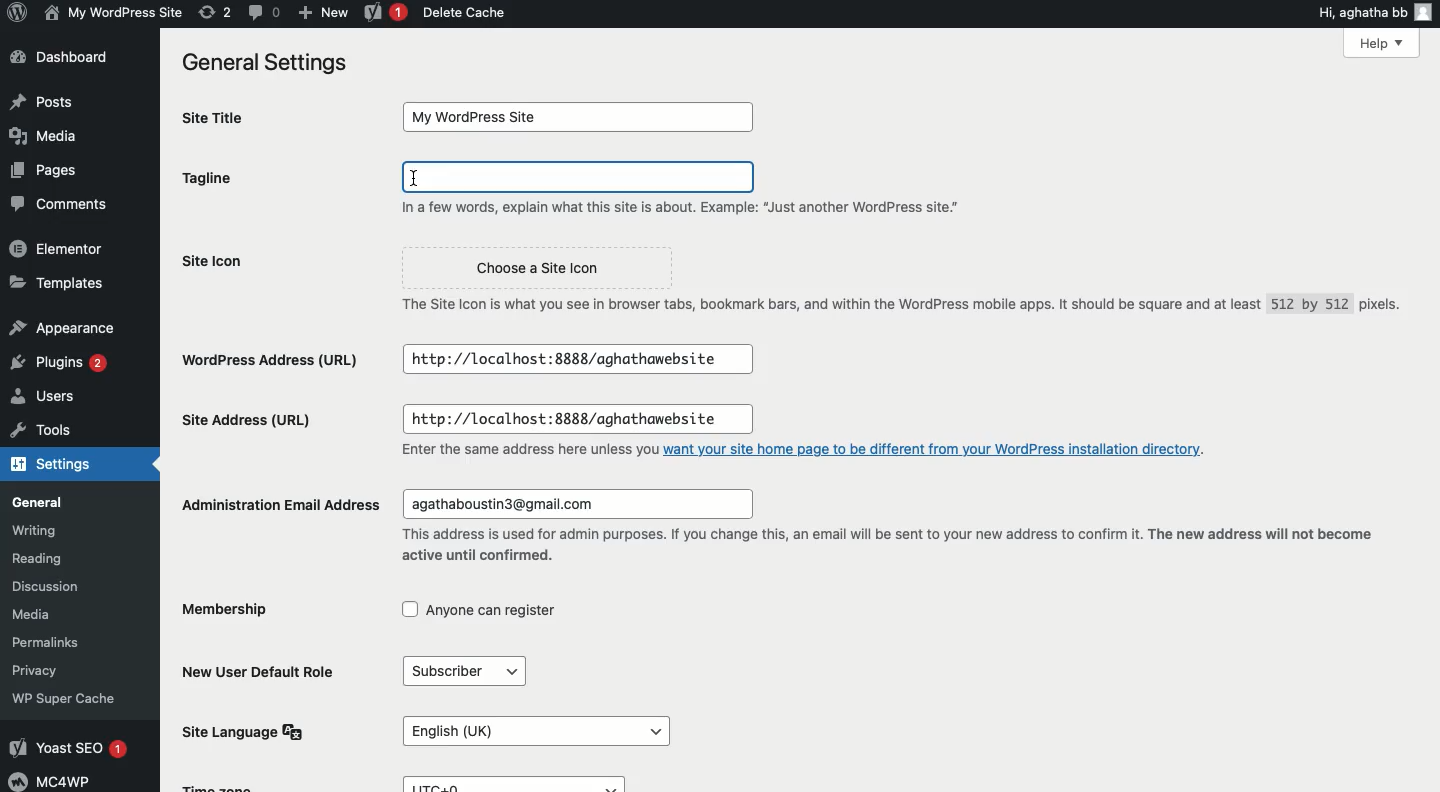 The width and height of the screenshot is (1440, 792). I want to click on Help, so click(1345, 46).